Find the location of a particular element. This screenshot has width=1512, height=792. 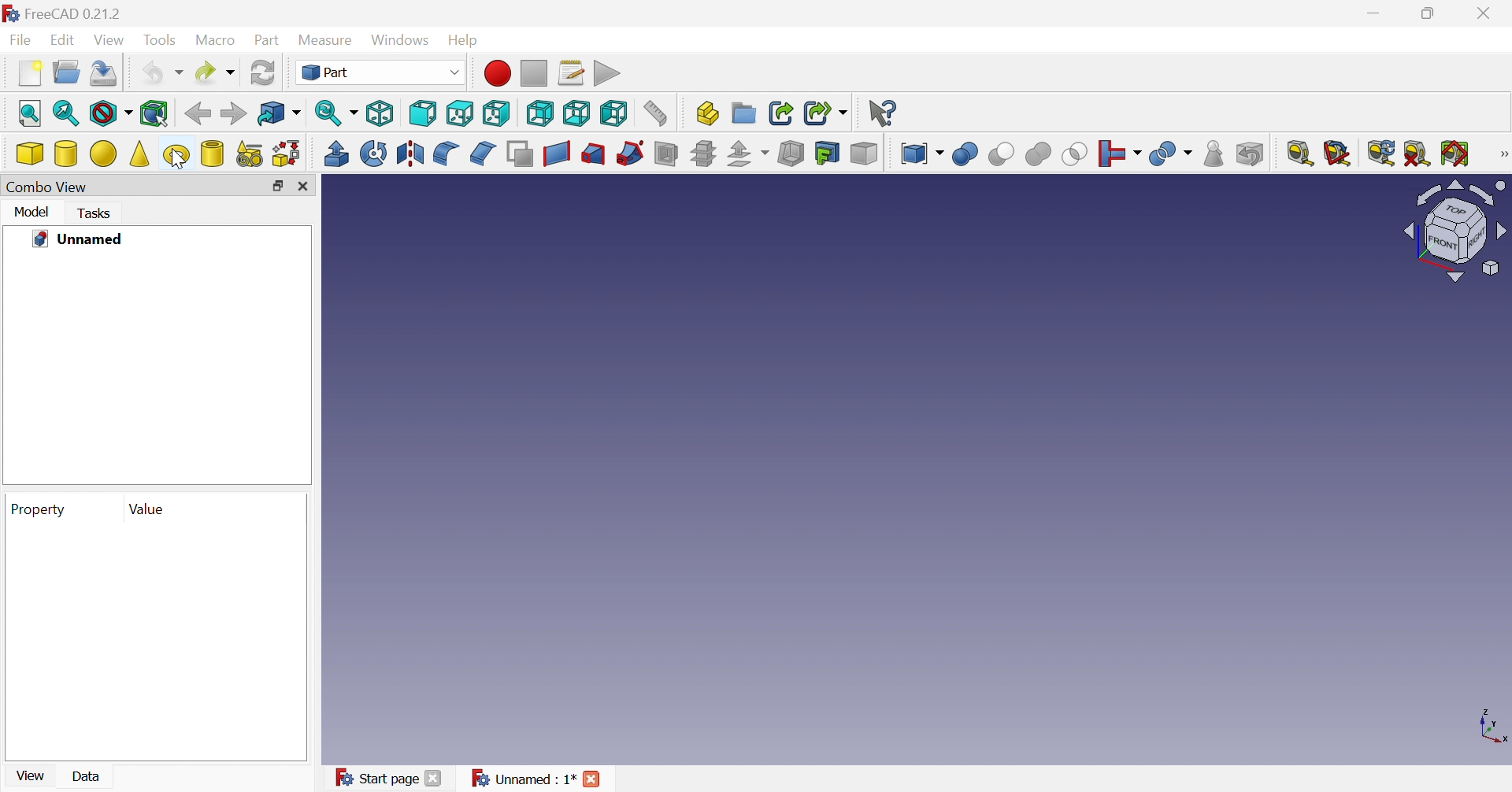

Data is located at coordinates (88, 775).